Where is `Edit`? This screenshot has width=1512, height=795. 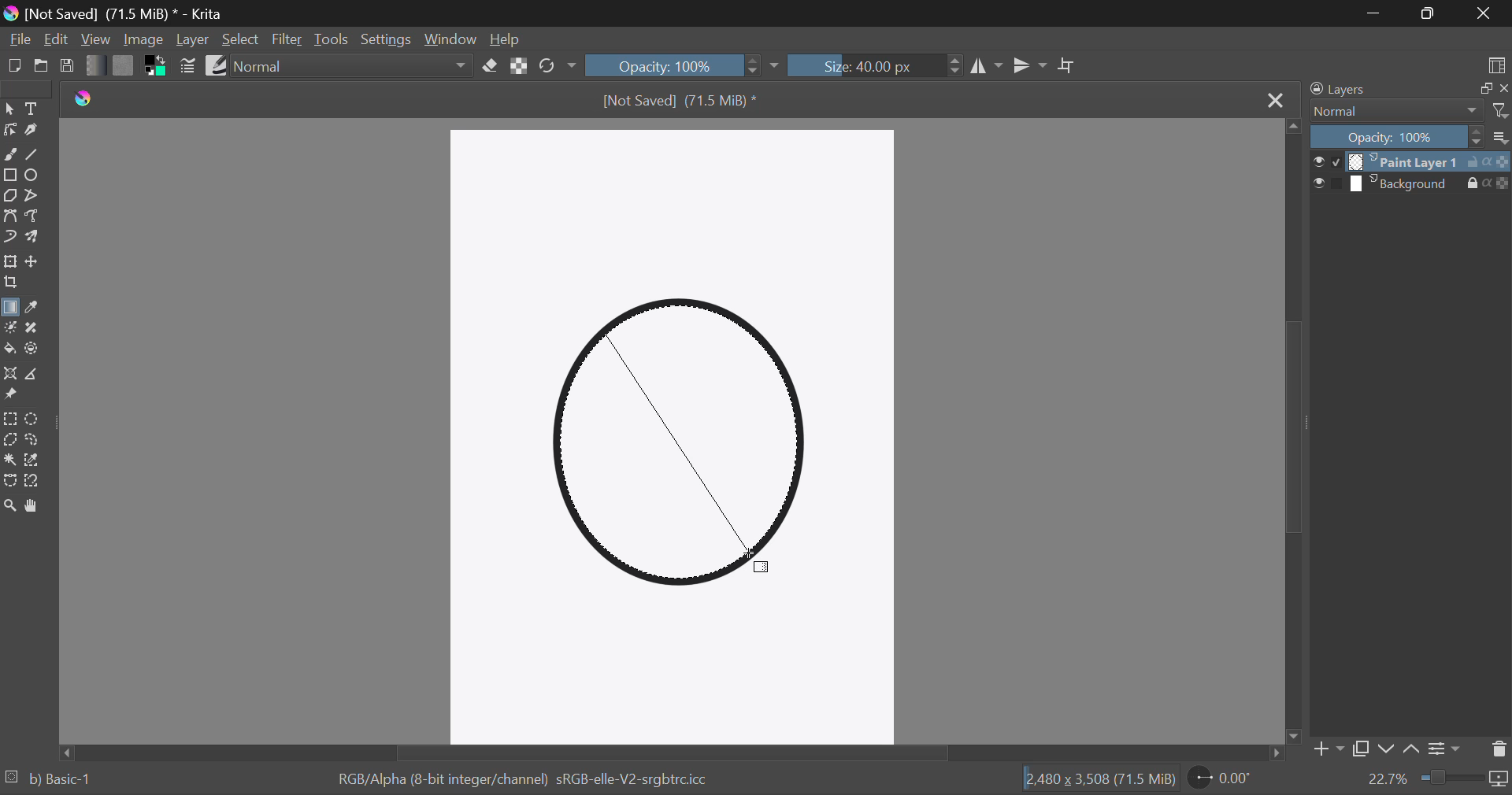 Edit is located at coordinates (55, 38).